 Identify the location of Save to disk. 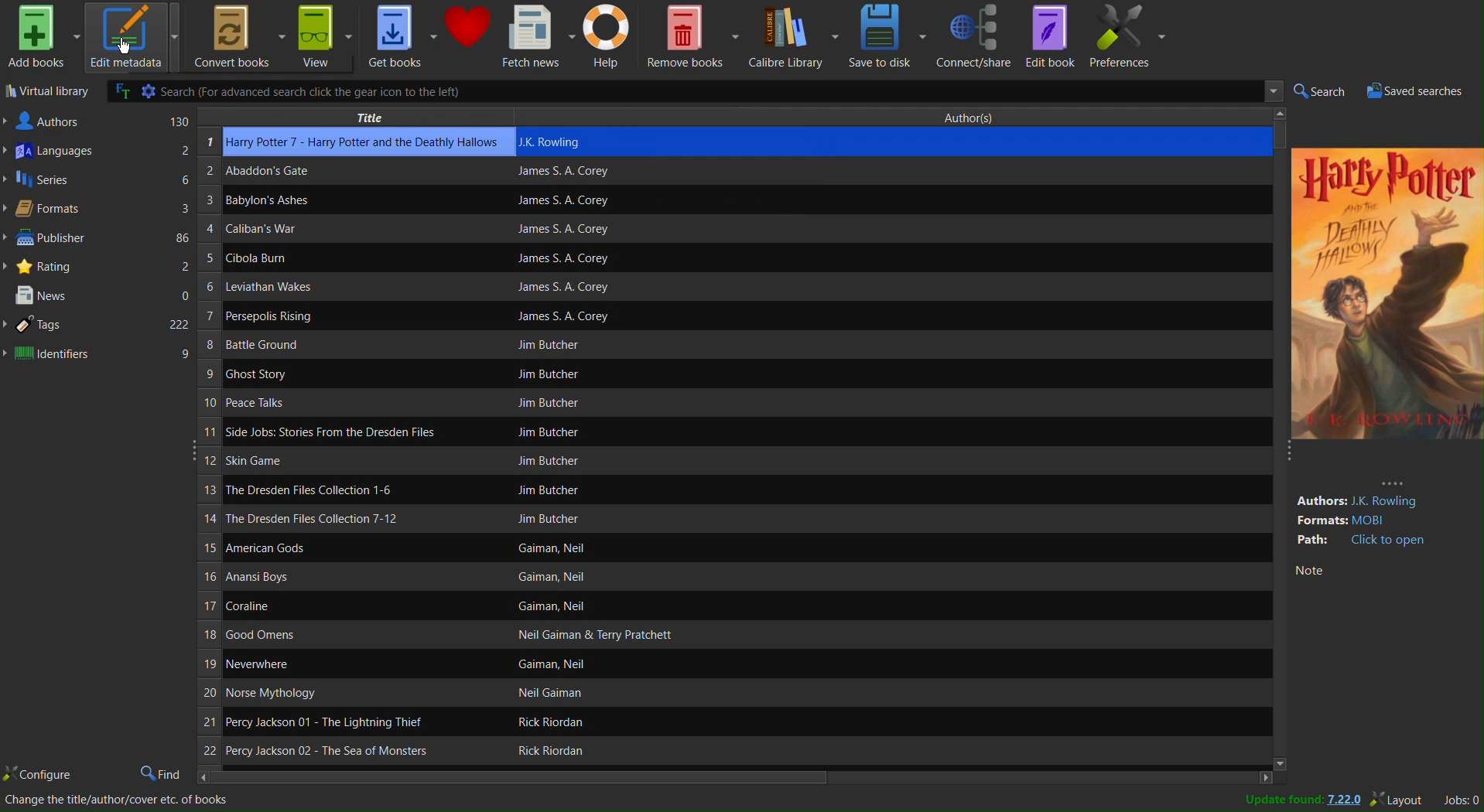
(889, 36).